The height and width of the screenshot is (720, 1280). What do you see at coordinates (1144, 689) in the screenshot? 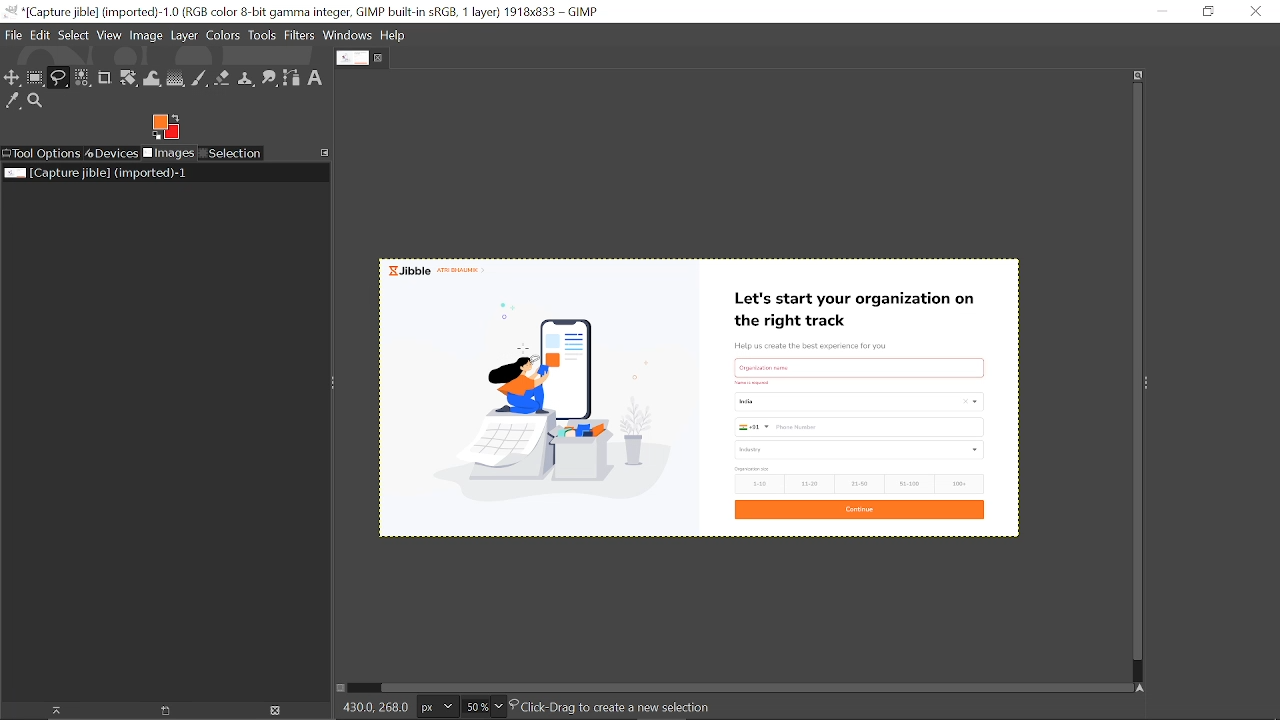
I see `Navigate this window` at bounding box center [1144, 689].